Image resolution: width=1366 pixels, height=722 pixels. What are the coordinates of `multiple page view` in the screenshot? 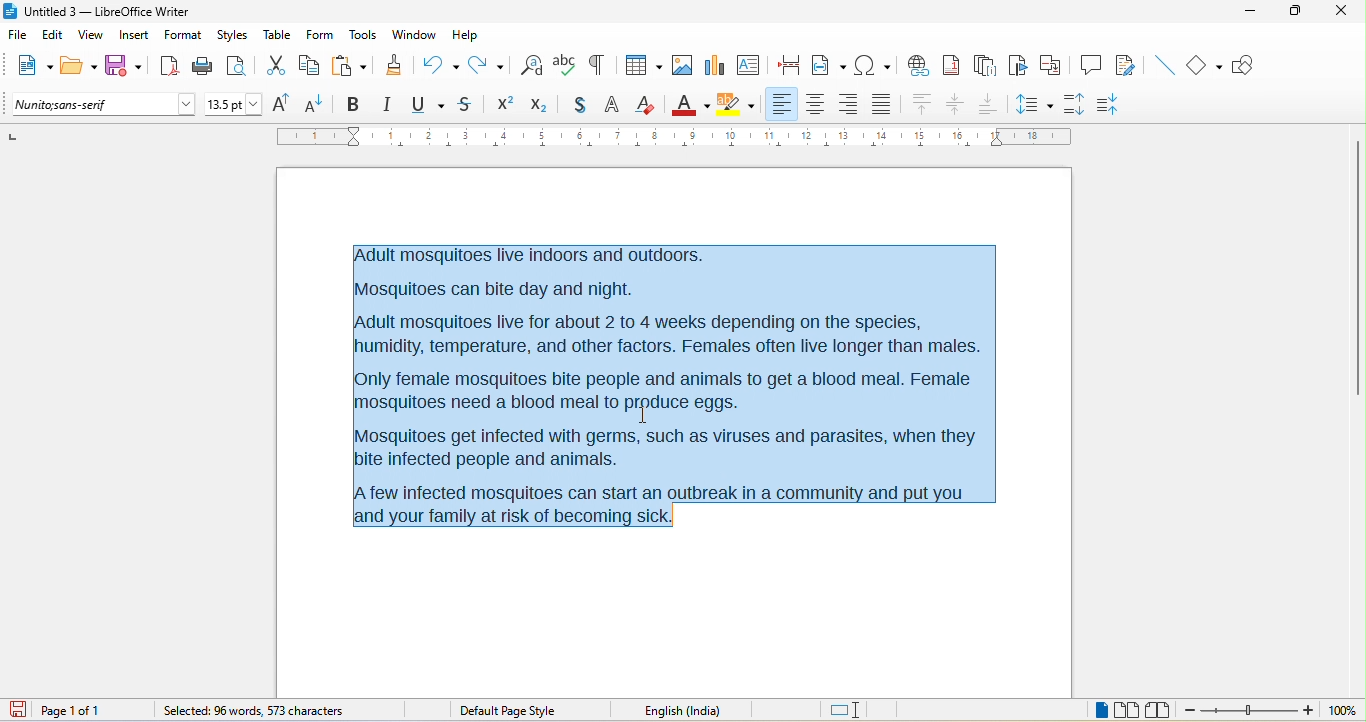 It's located at (1127, 711).